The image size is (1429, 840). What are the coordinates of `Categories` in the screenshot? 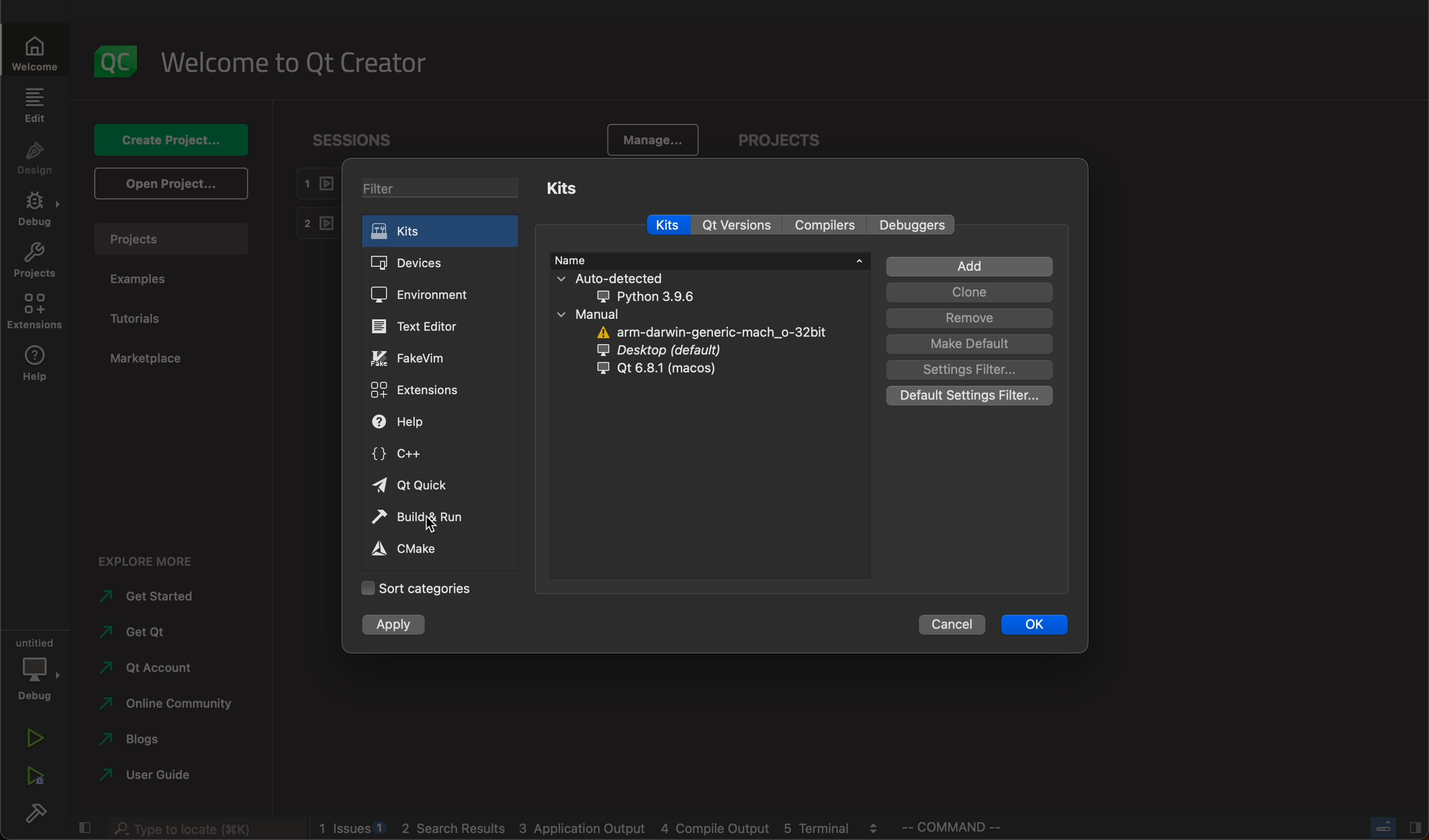 It's located at (424, 587).